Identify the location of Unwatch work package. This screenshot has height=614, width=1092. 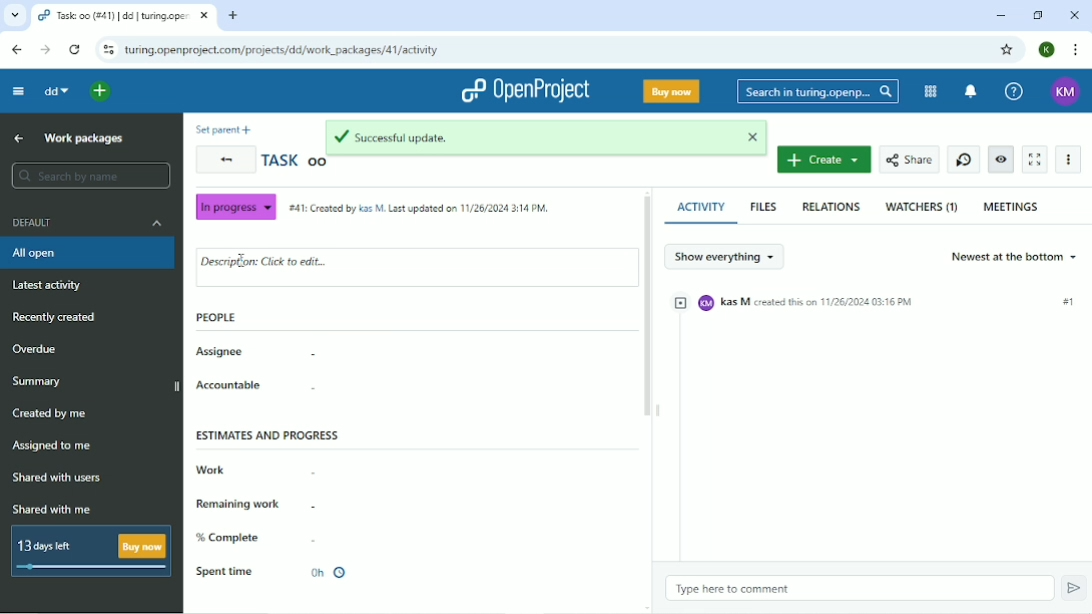
(1001, 159).